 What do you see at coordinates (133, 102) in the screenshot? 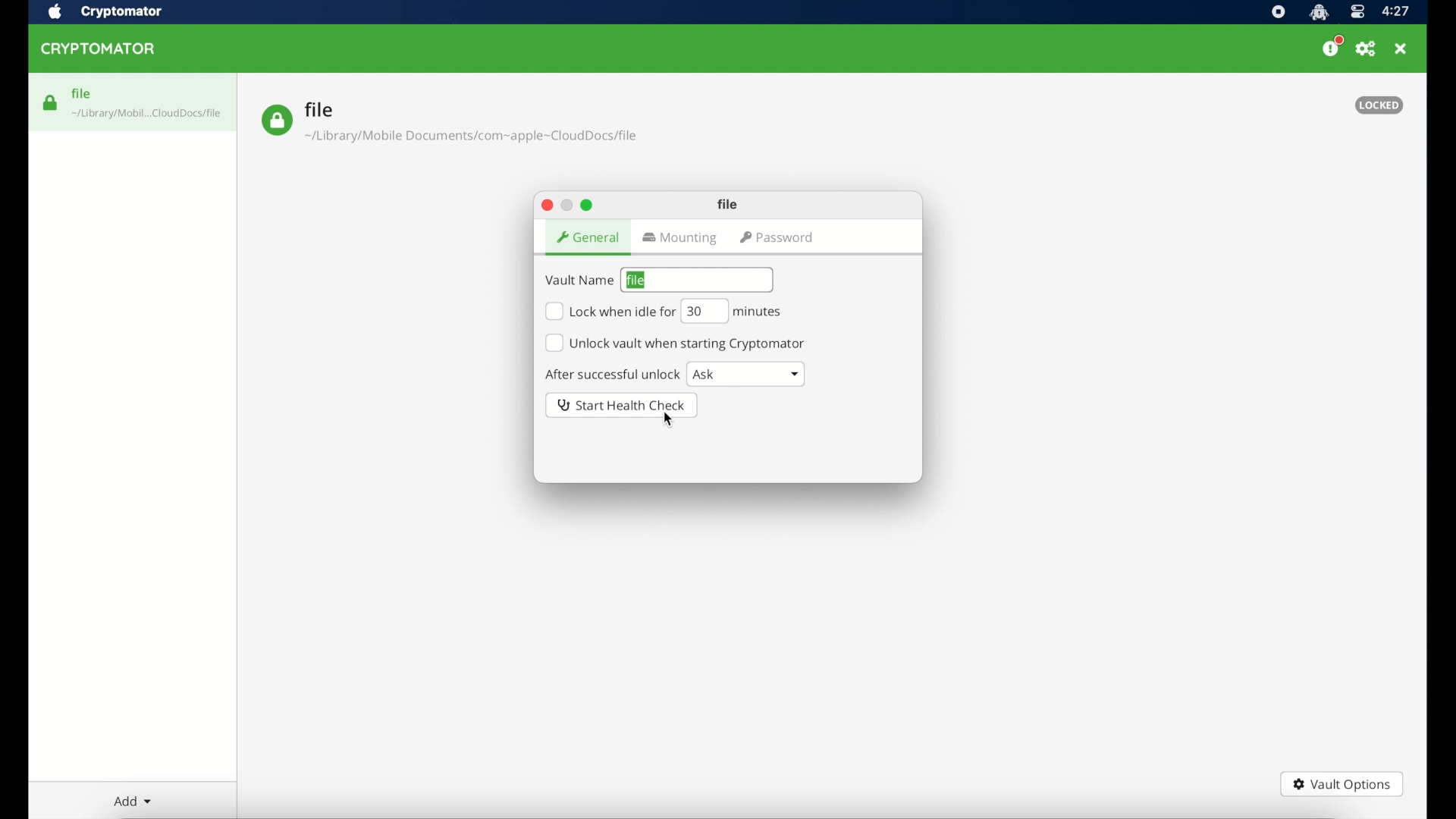
I see `file highlighted` at bounding box center [133, 102].